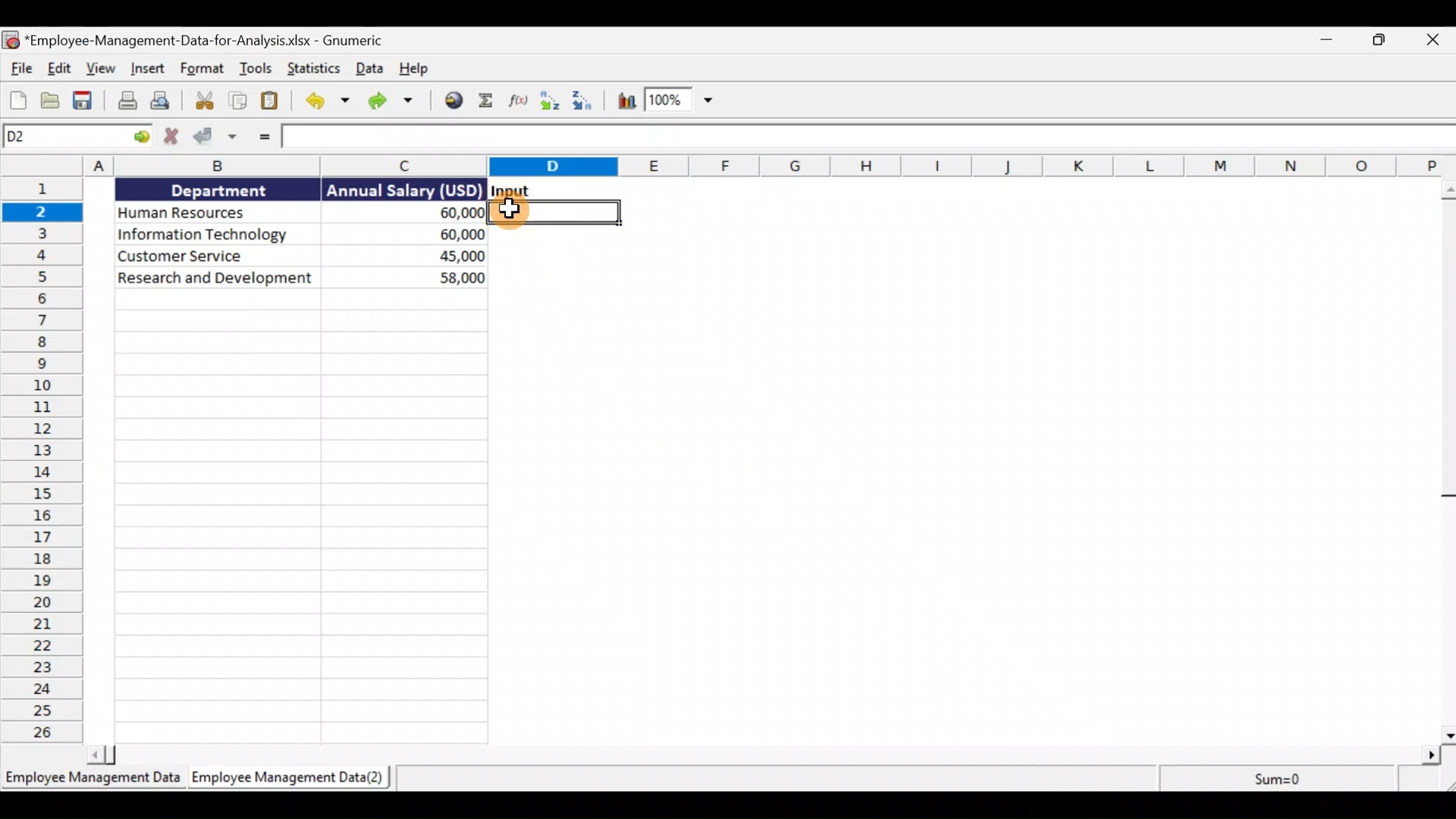 This screenshot has width=1456, height=819. I want to click on Enter formula, so click(266, 140).